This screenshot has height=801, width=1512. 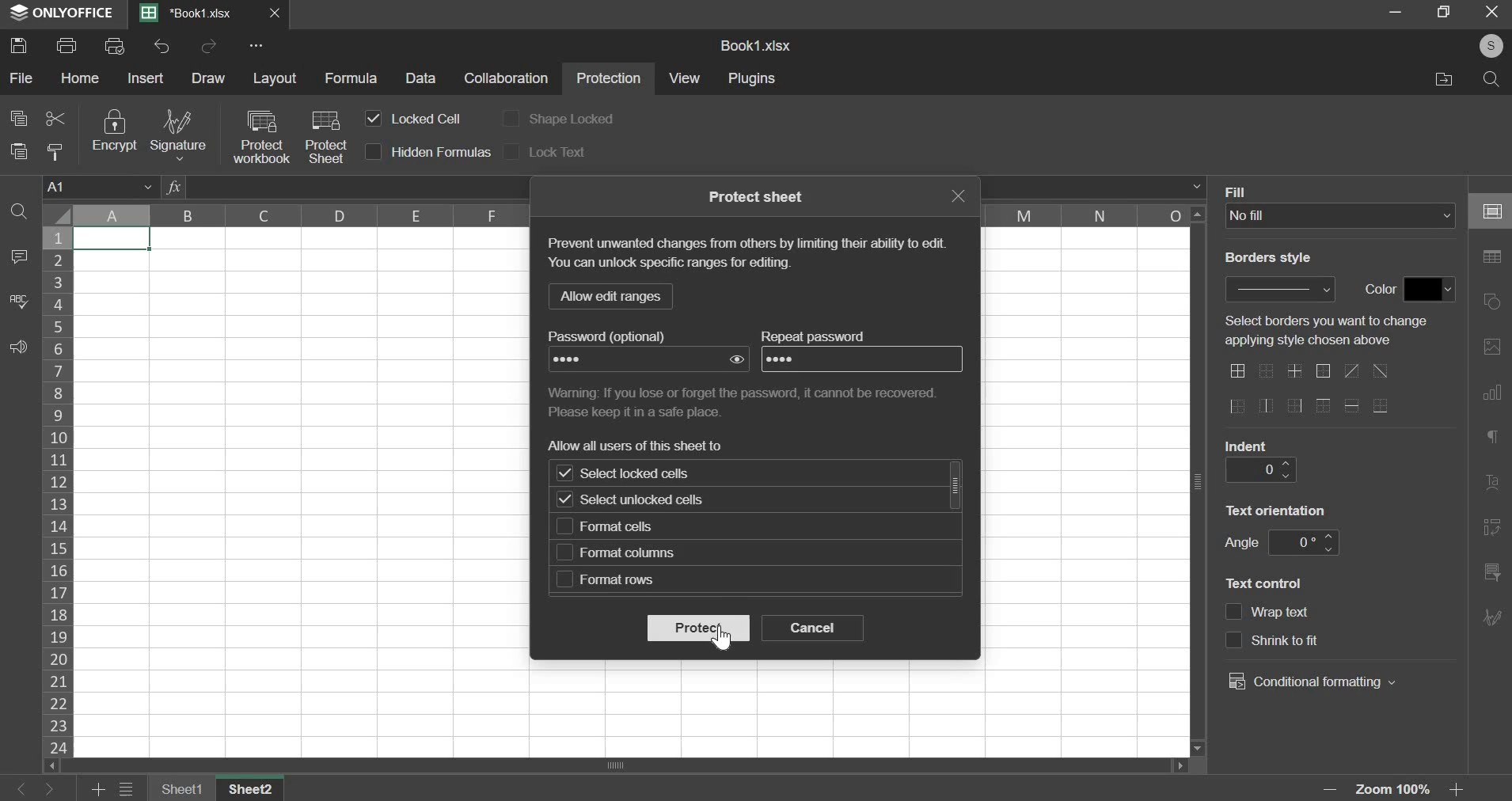 I want to click on text control, so click(x=1311, y=640).